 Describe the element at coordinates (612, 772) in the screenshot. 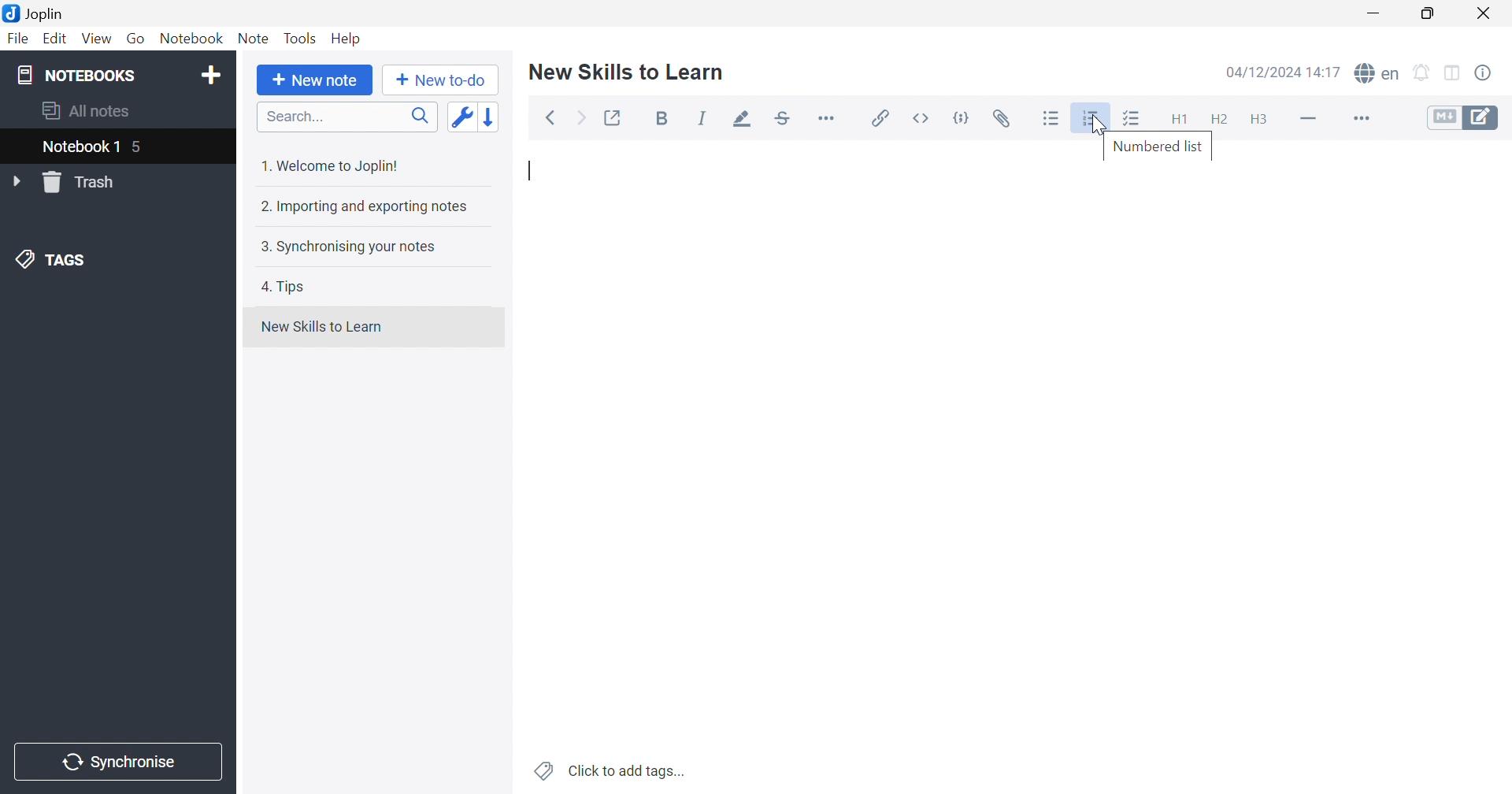

I see `Click to add tags...` at that location.